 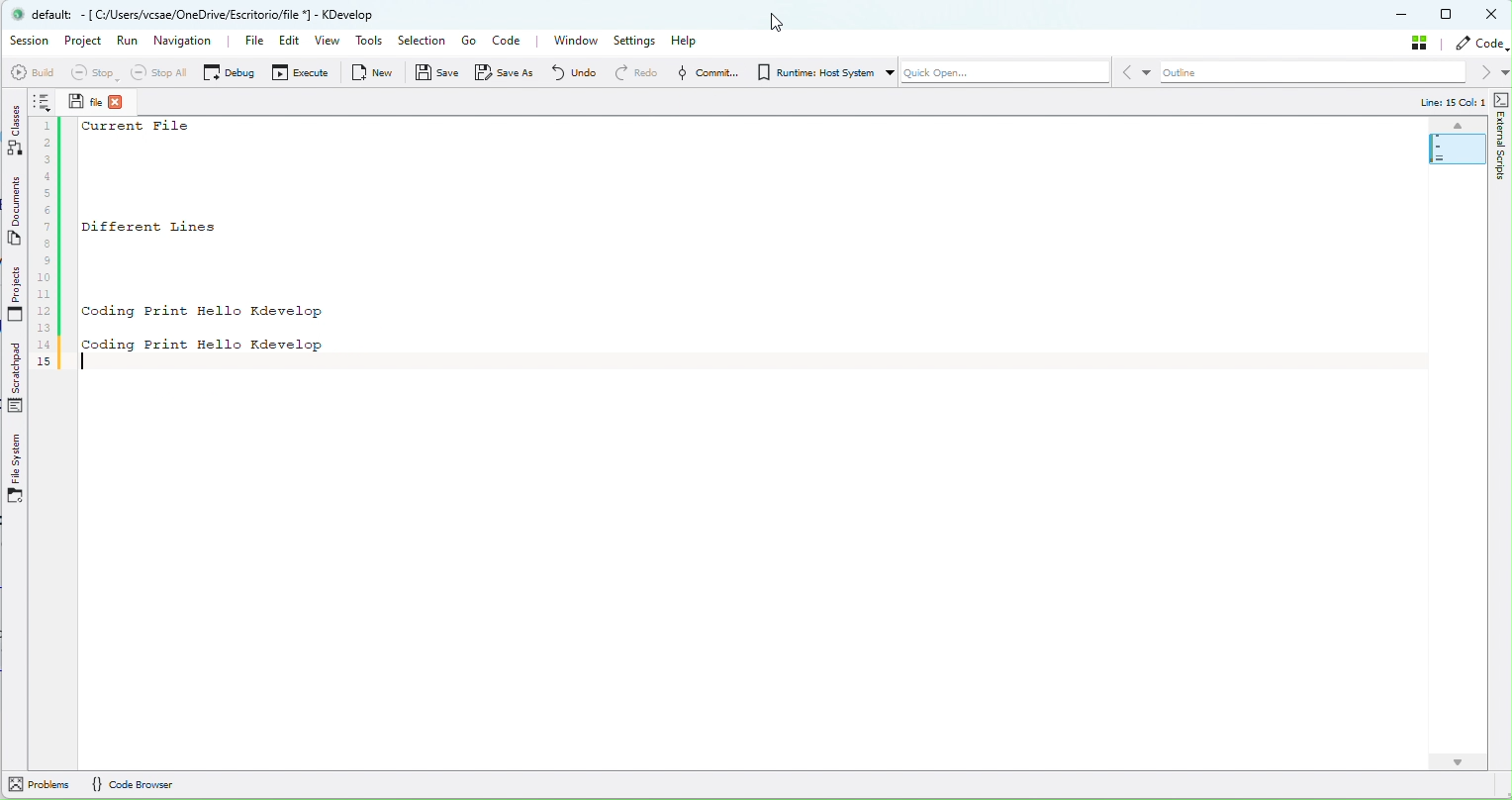 I want to click on View, so click(x=330, y=43).